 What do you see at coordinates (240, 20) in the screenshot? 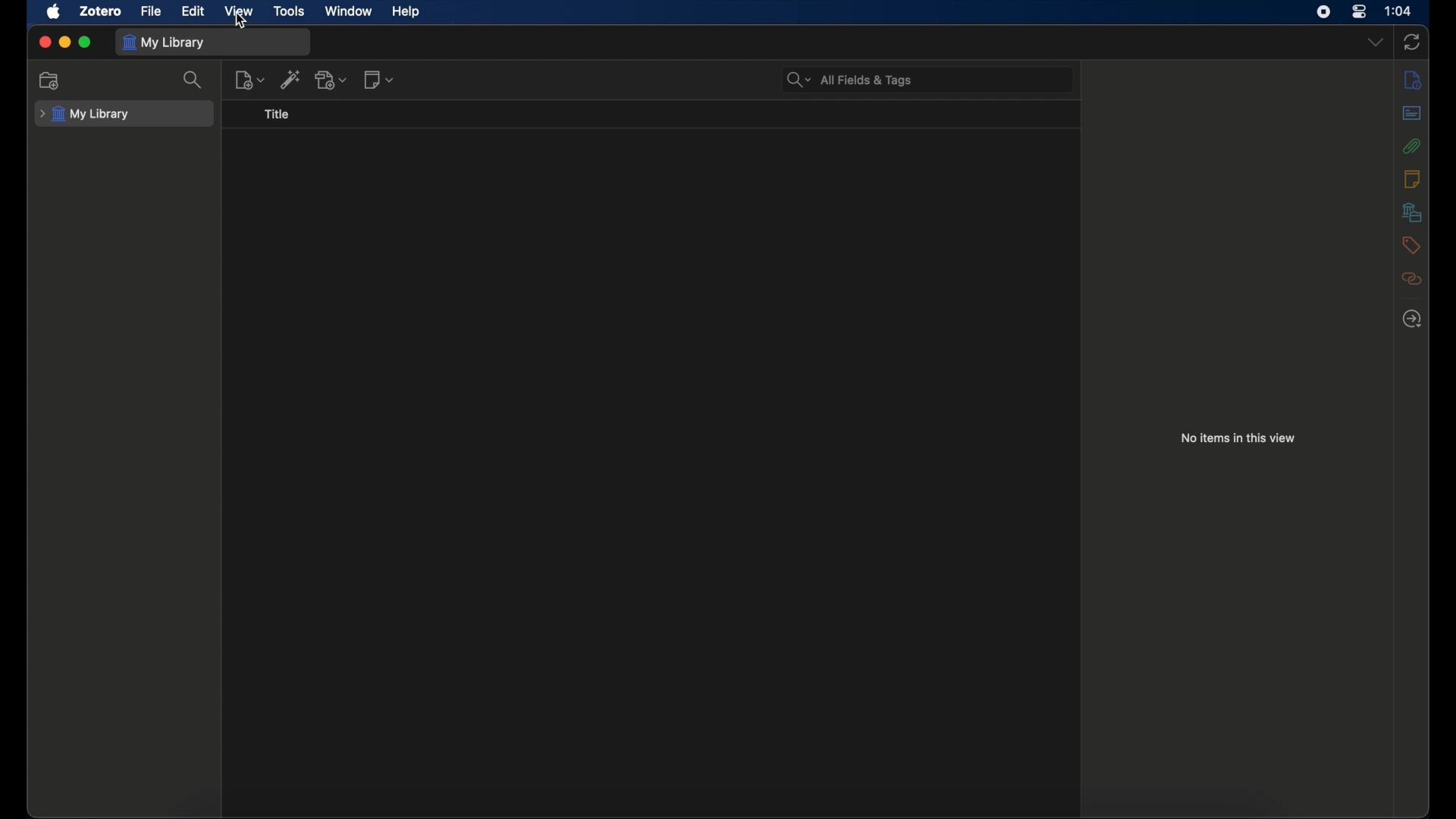
I see `cursor` at bounding box center [240, 20].